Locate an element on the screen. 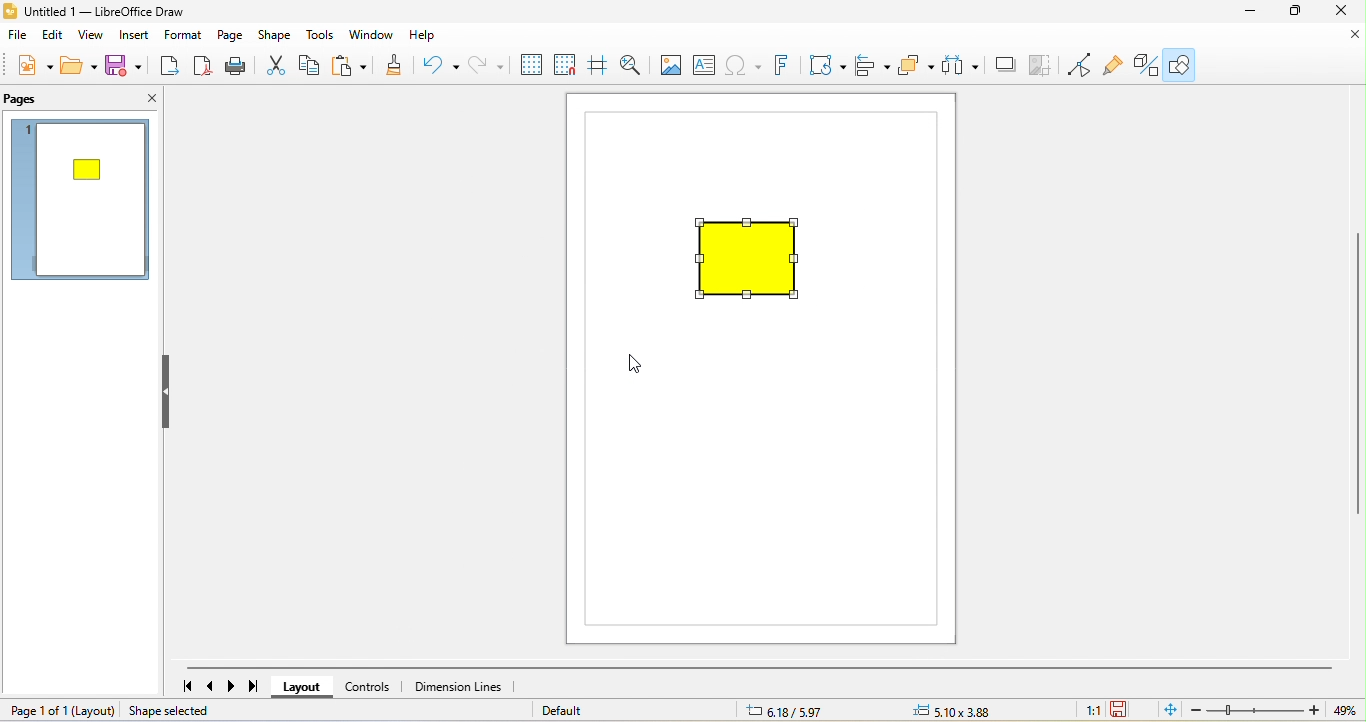 The height and width of the screenshot is (722, 1366). print is located at coordinates (236, 67).